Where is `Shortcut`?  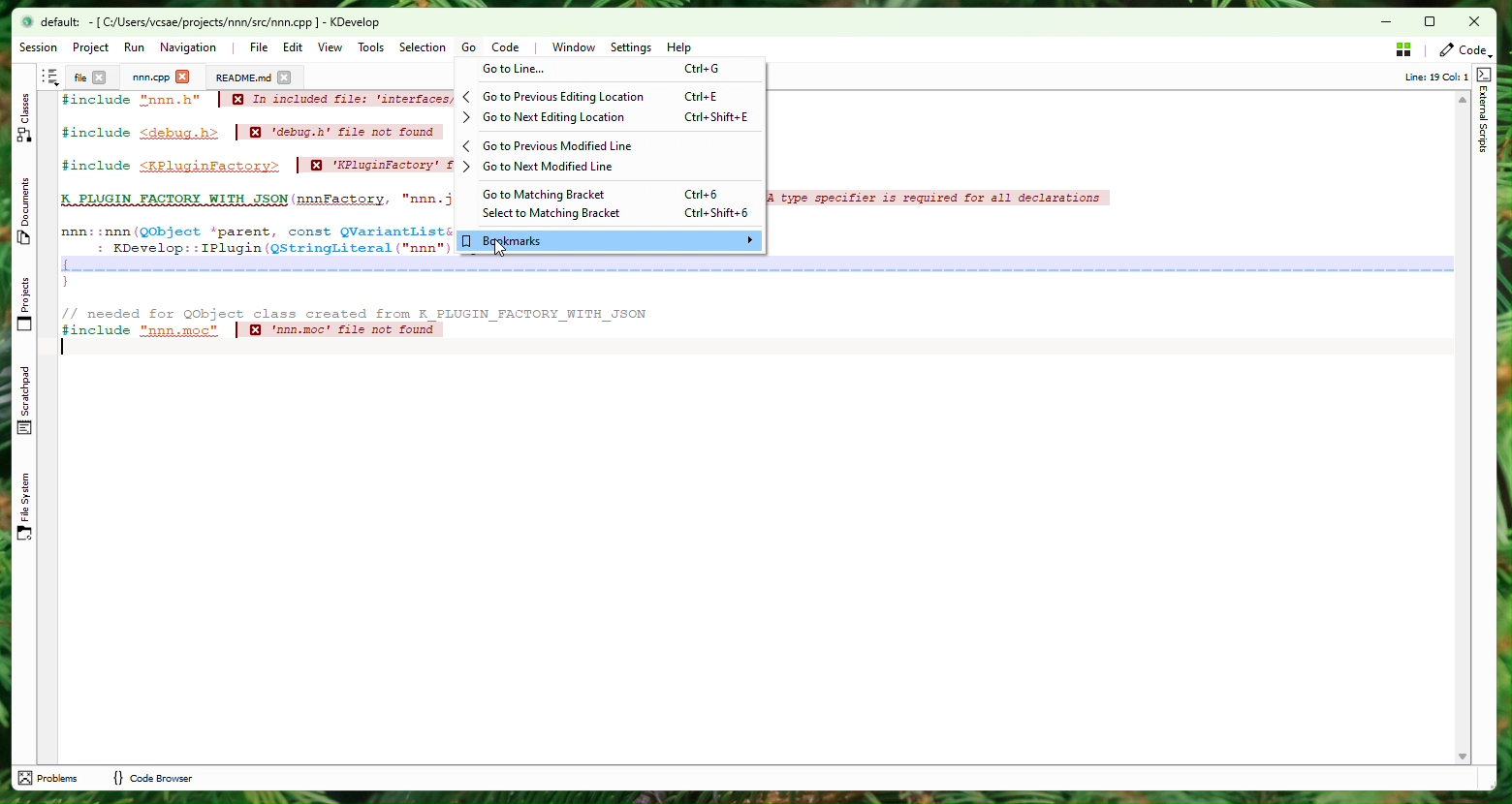
Shortcut is located at coordinates (50, 77).